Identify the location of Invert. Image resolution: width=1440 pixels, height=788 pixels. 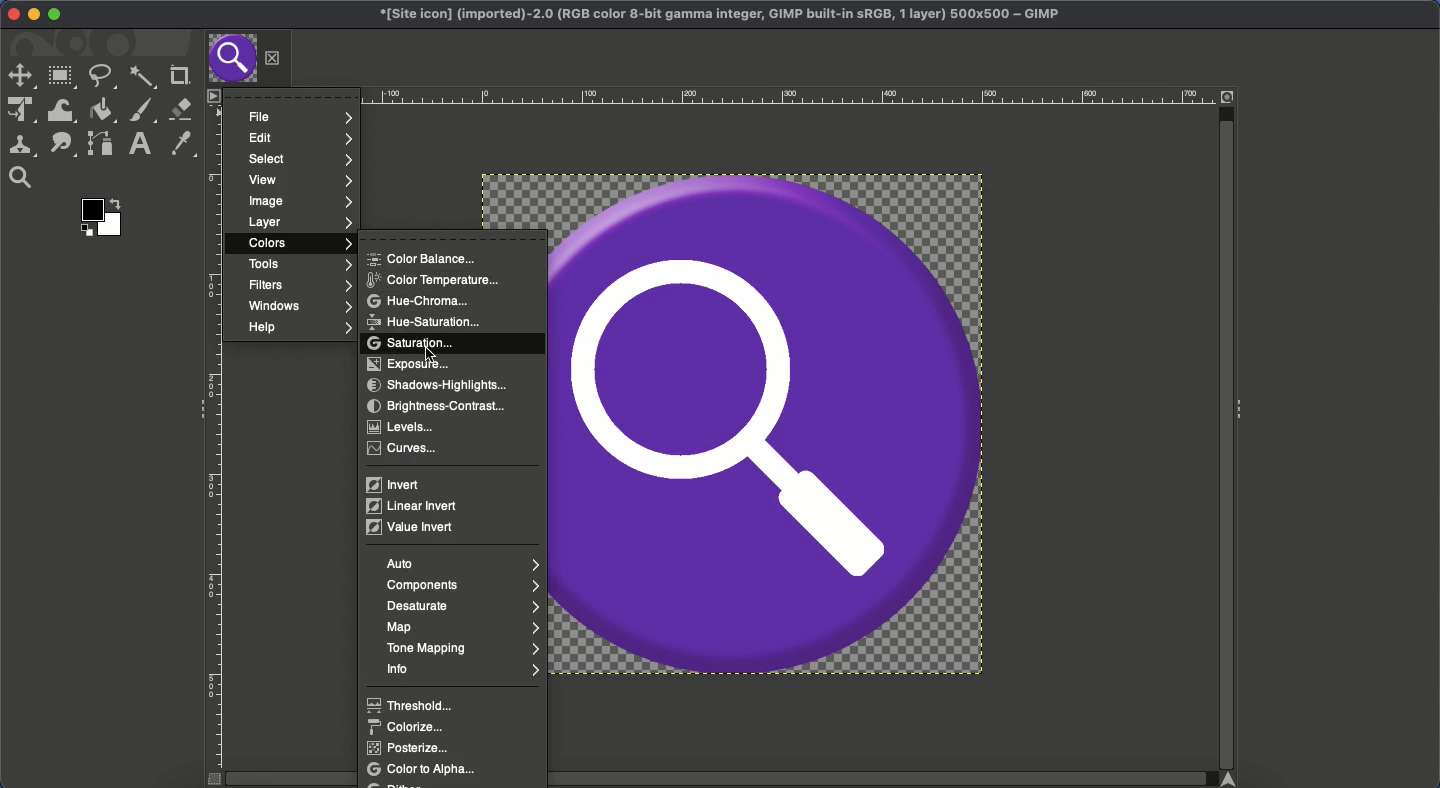
(390, 486).